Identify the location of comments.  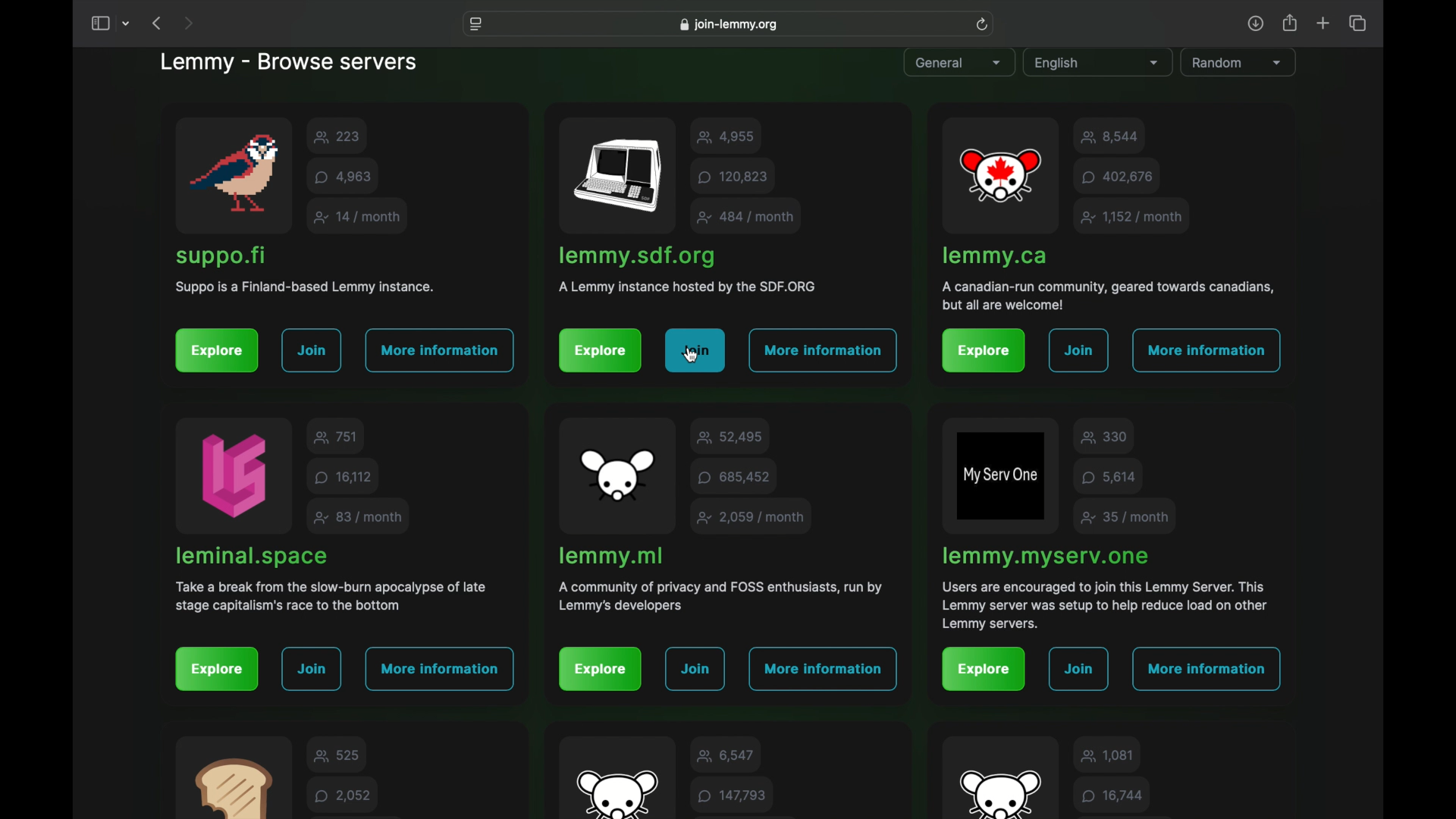
(1118, 177).